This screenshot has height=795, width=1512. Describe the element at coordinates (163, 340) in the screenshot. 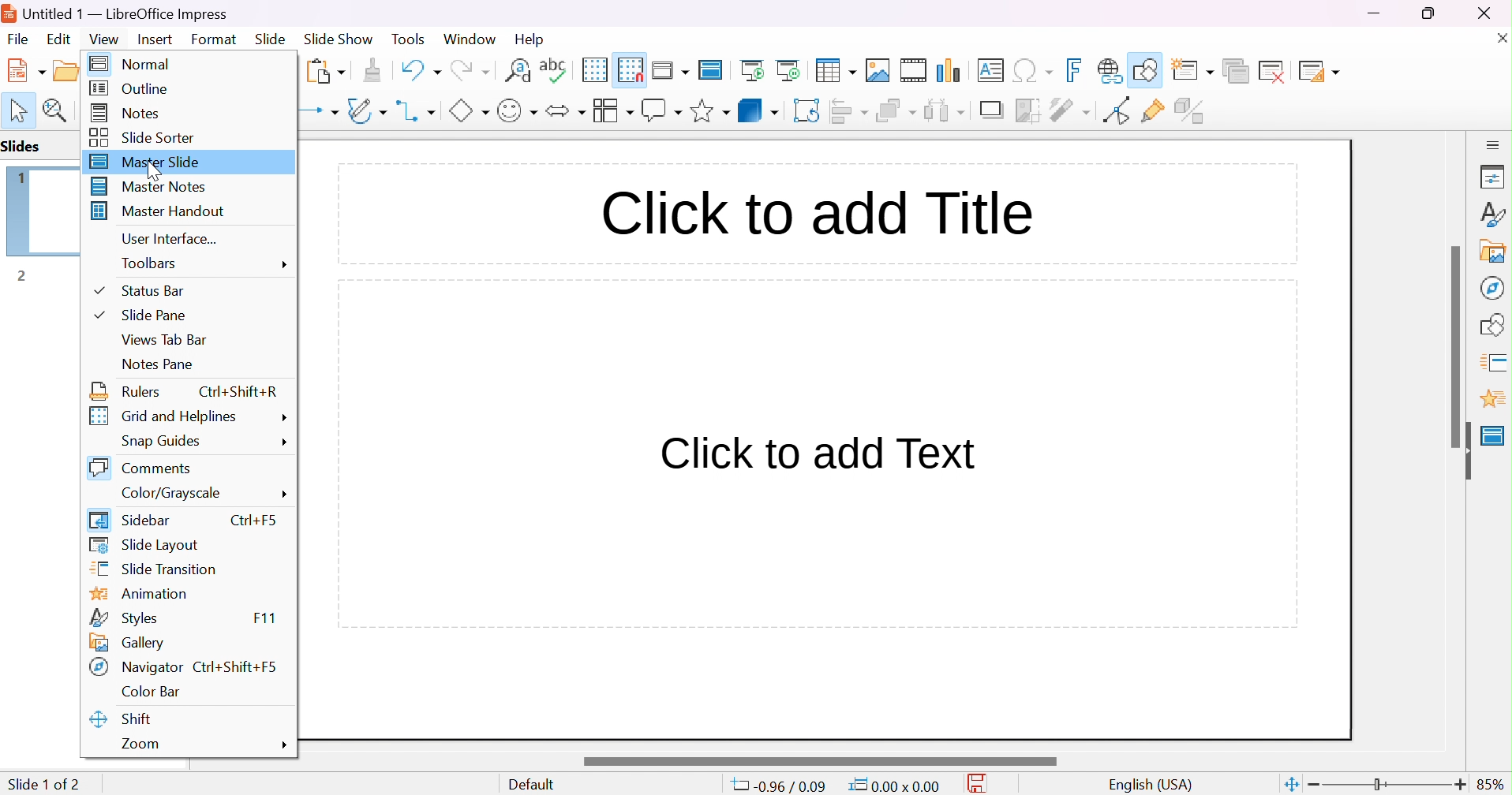

I see `views tab bar` at that location.